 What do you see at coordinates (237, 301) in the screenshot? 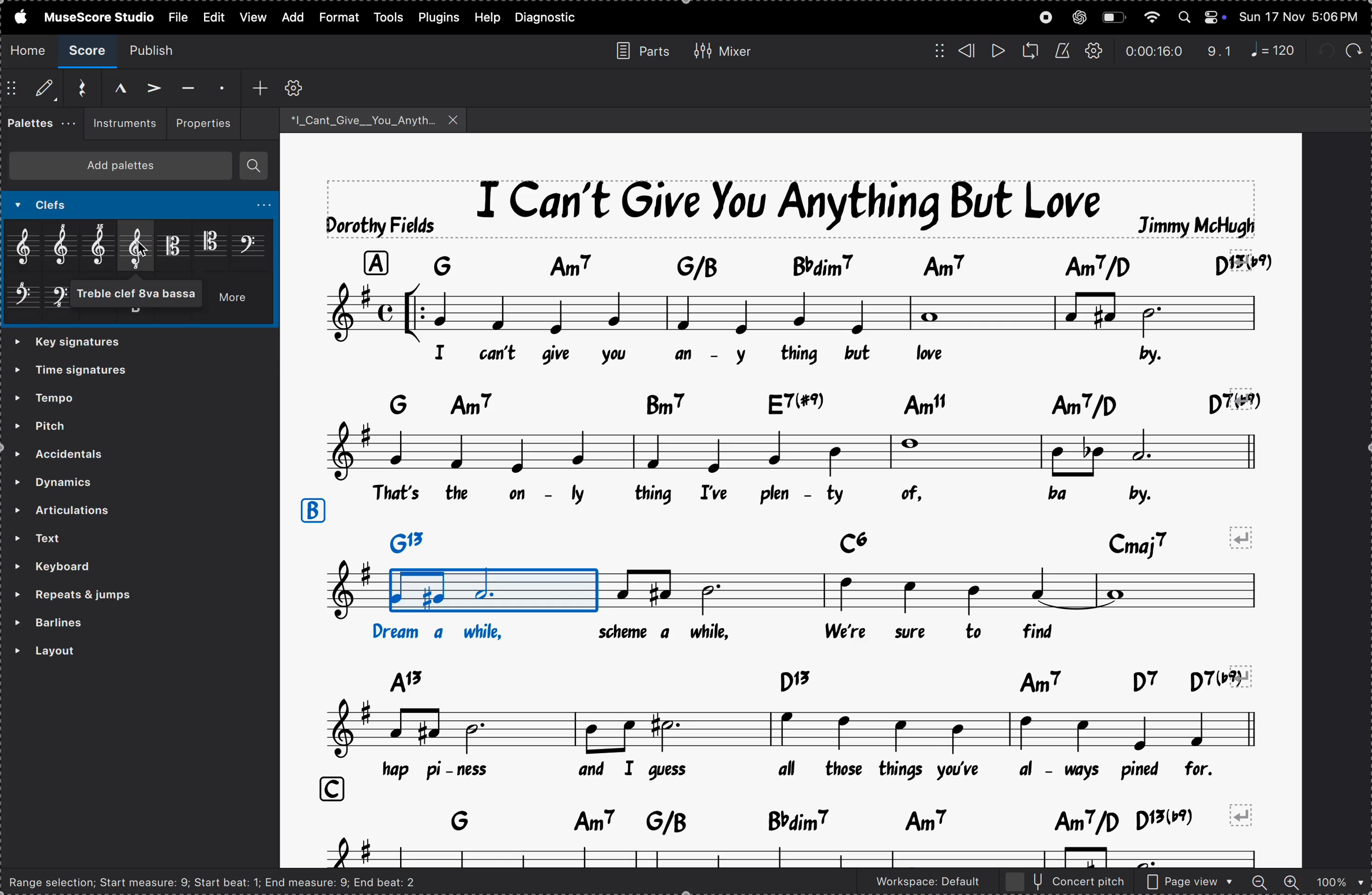
I see `More` at bounding box center [237, 301].